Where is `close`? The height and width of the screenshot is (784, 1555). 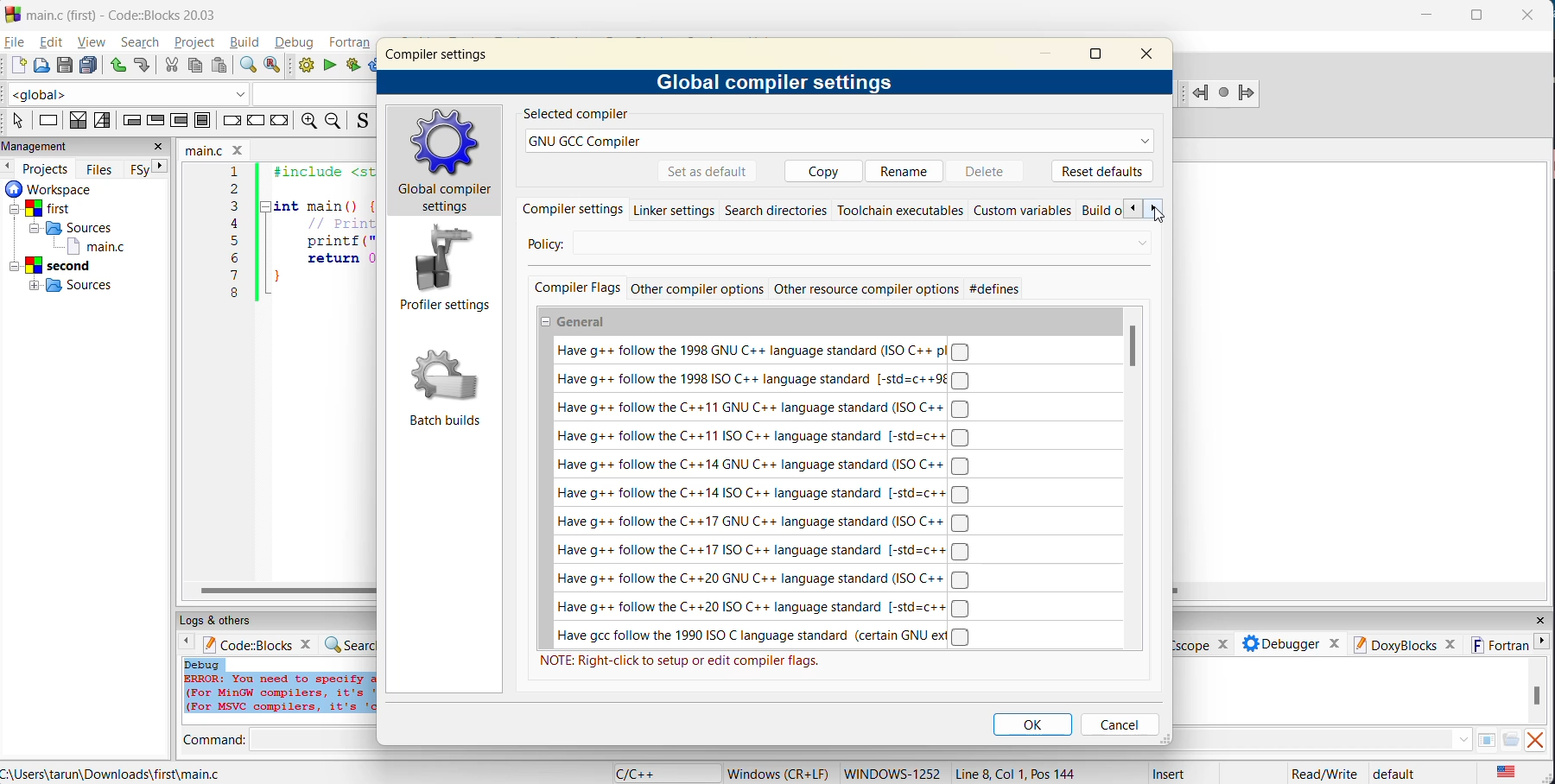
close is located at coordinates (1529, 16).